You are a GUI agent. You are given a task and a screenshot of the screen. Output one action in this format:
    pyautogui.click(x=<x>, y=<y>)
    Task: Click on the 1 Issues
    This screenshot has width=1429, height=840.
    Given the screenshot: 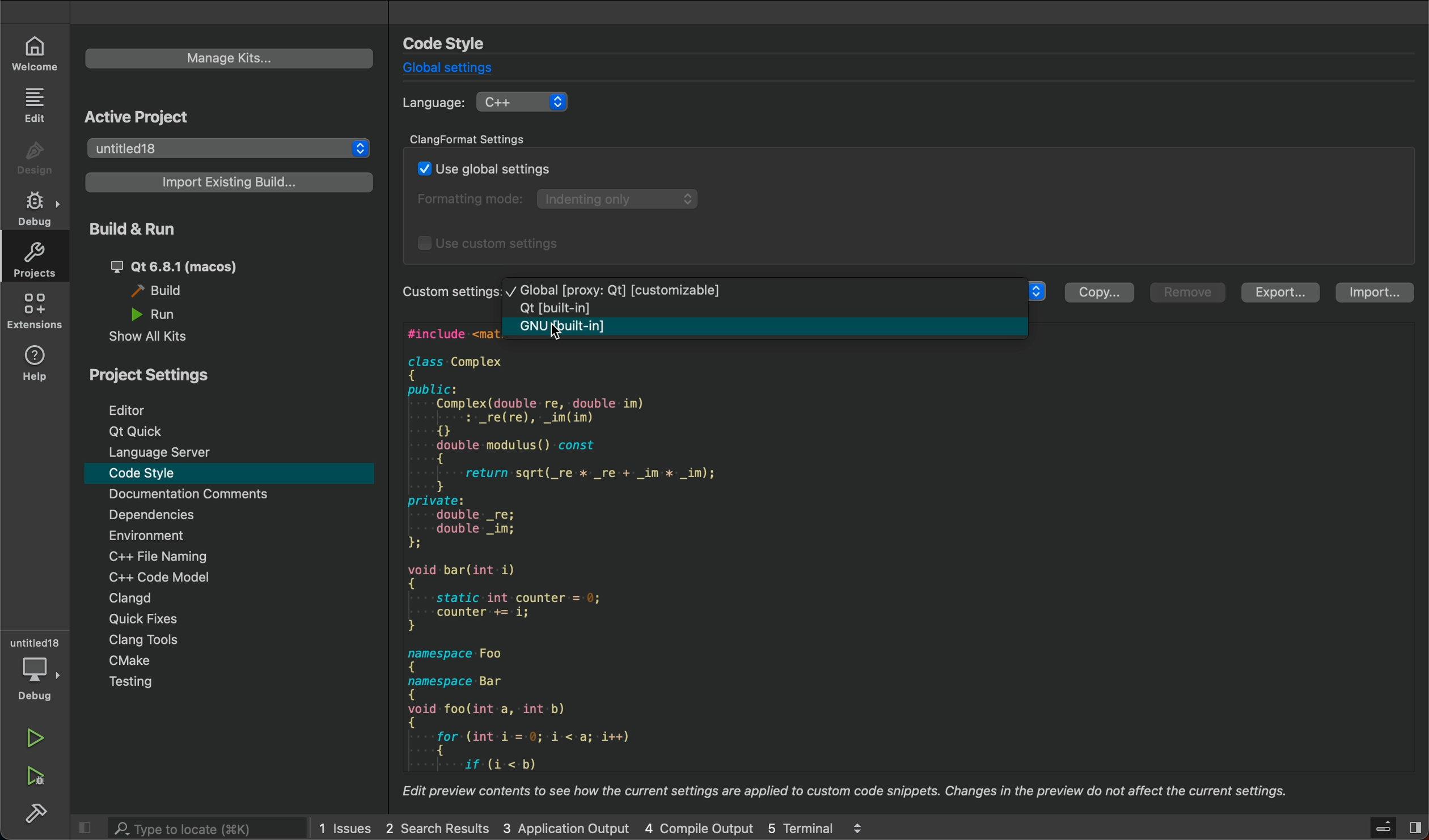 What is the action you would take?
    pyautogui.click(x=344, y=826)
    